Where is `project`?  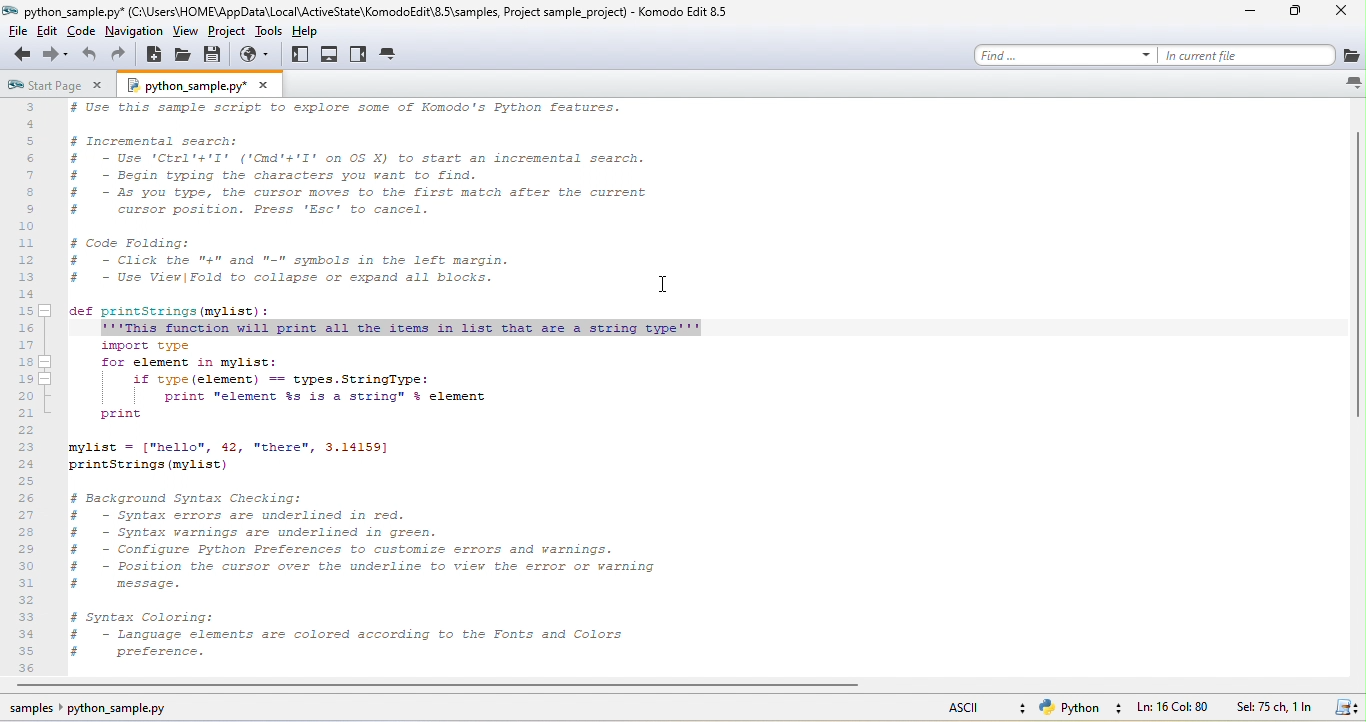
project is located at coordinates (228, 32).